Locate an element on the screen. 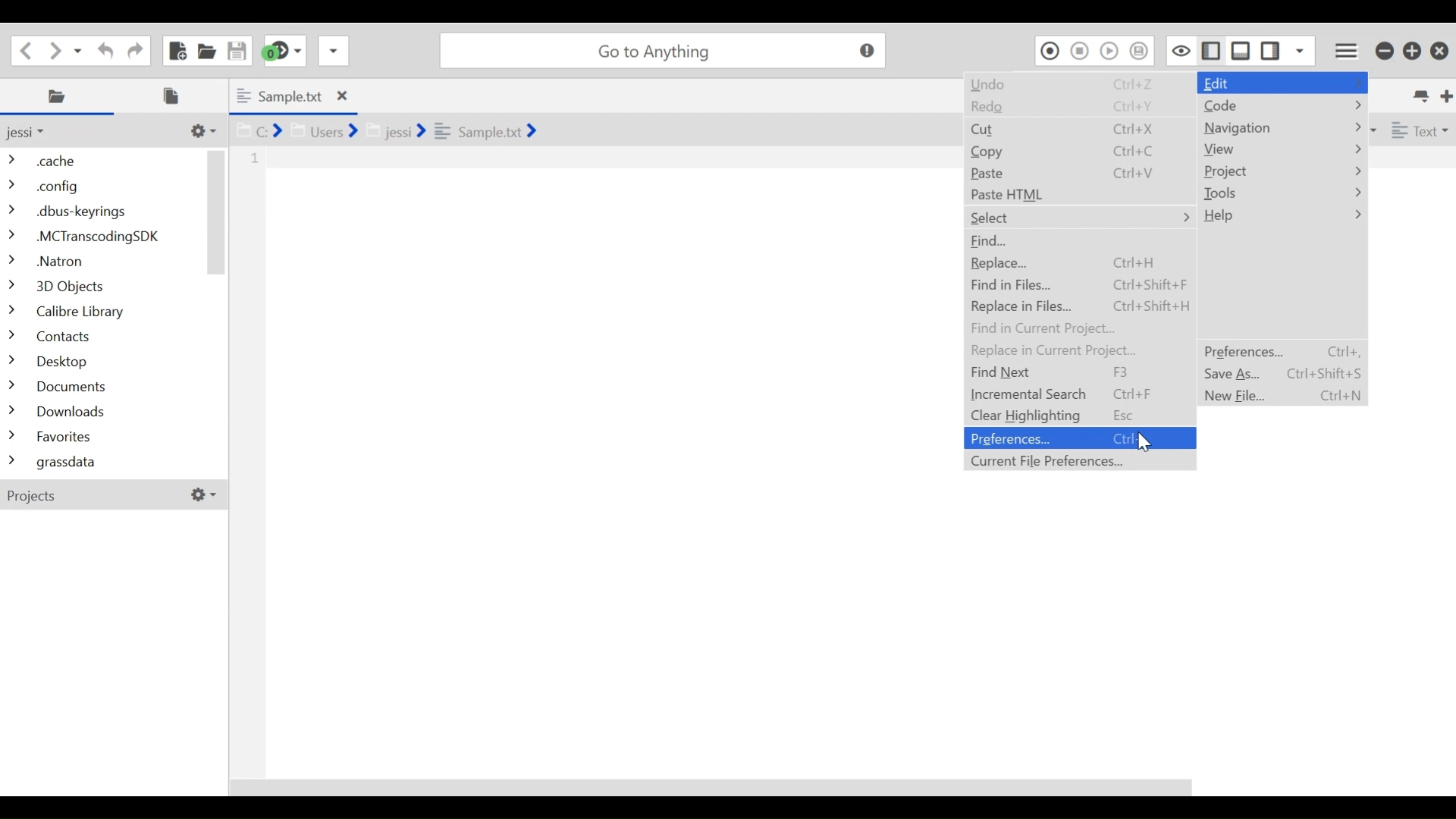  Save As is located at coordinates (1281, 373).